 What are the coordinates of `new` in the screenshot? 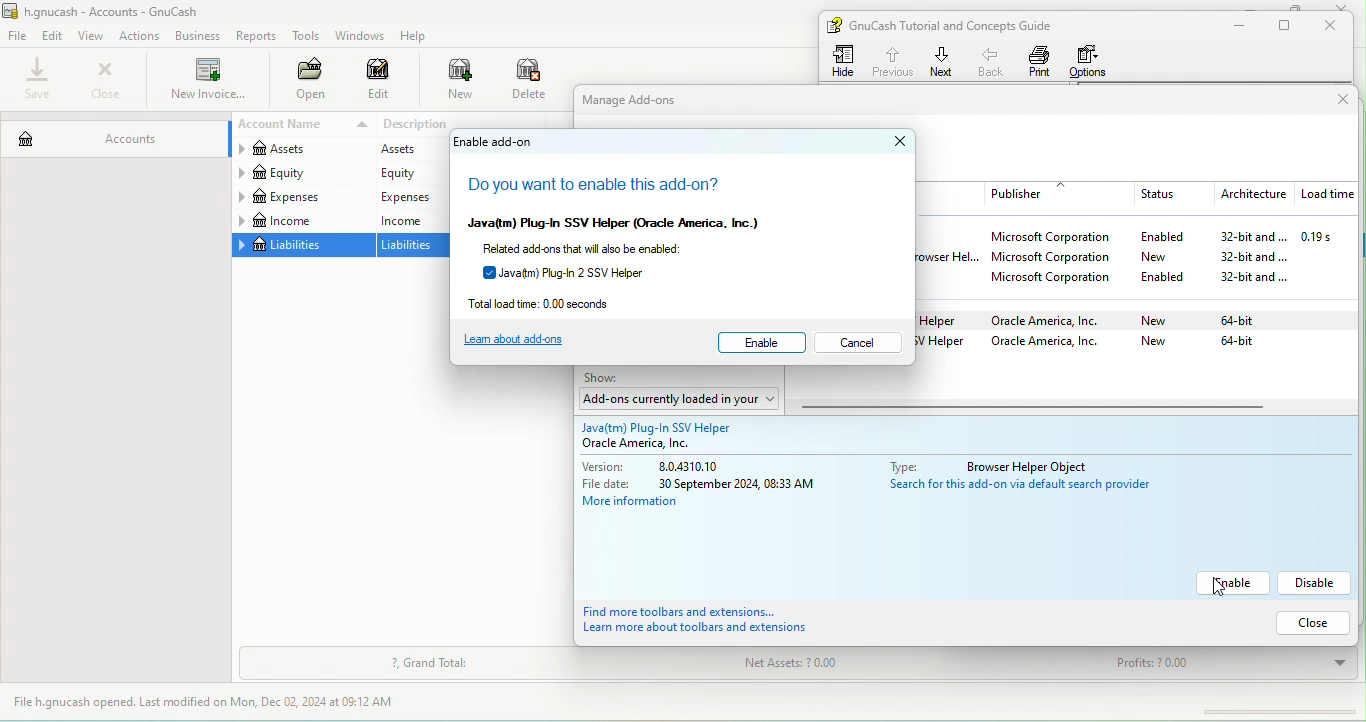 It's located at (450, 81).